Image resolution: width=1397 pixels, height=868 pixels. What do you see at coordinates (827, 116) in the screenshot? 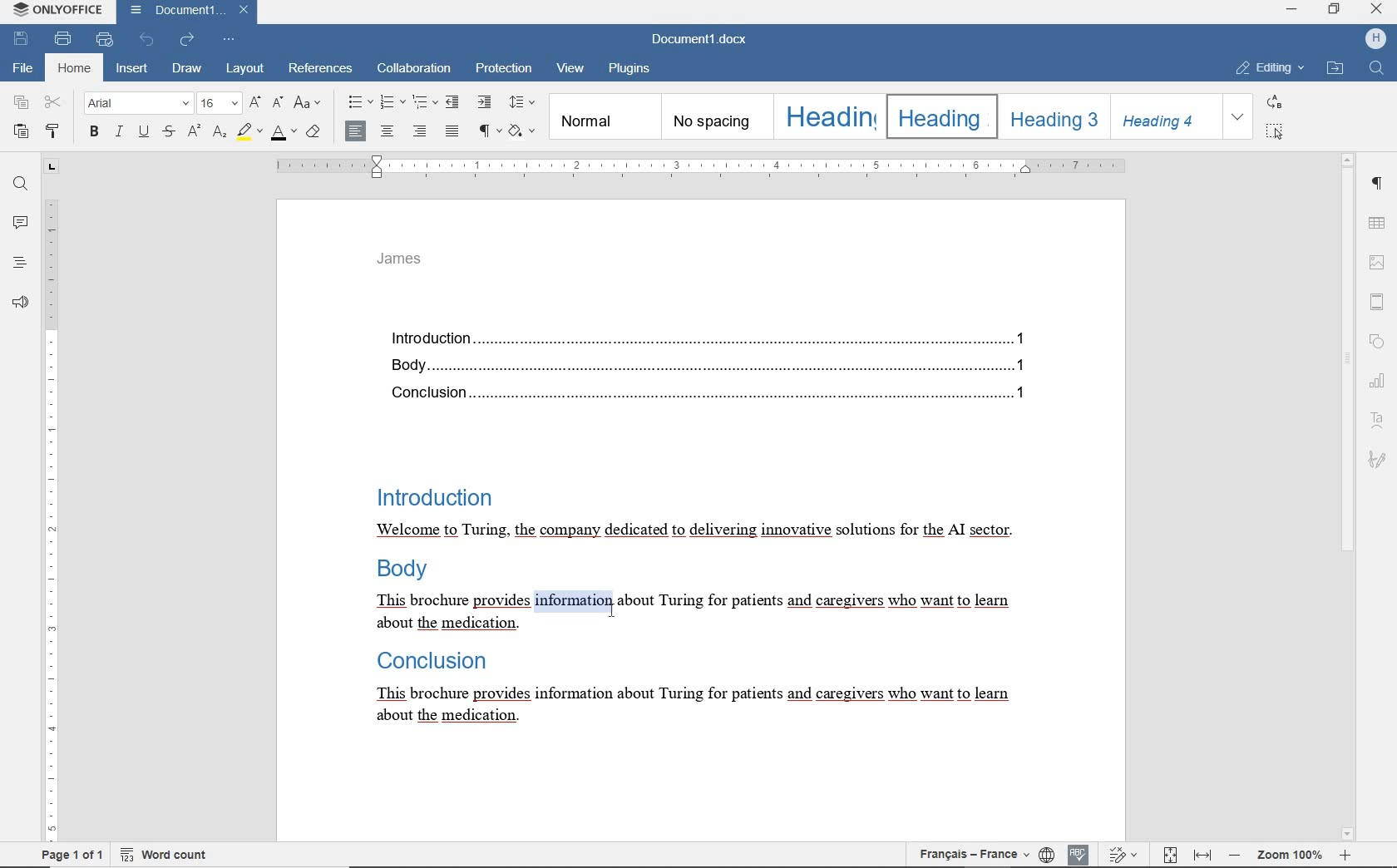
I see `HEADING 1` at bounding box center [827, 116].